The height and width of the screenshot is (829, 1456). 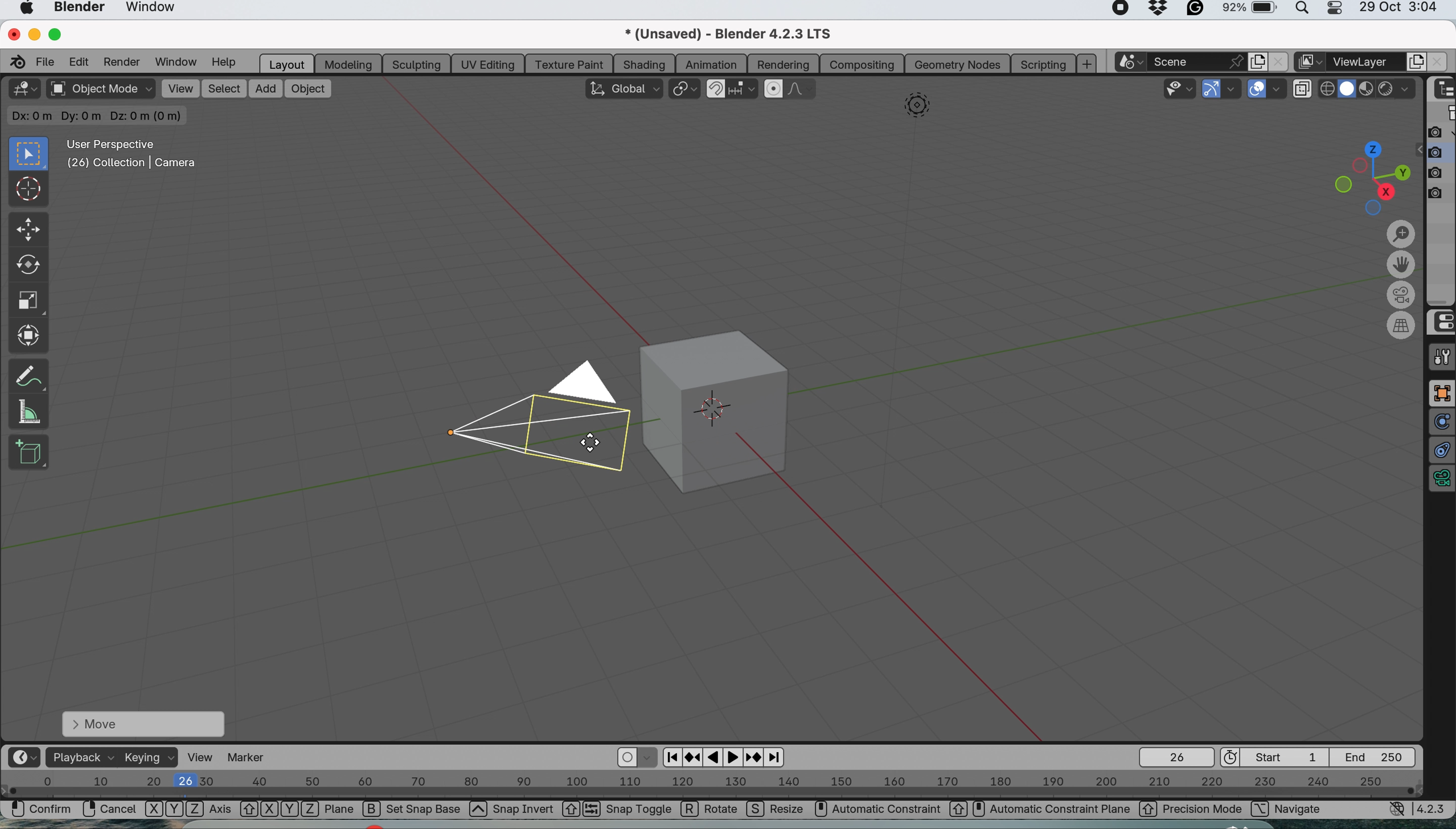 What do you see at coordinates (712, 64) in the screenshot?
I see `animation` at bounding box center [712, 64].